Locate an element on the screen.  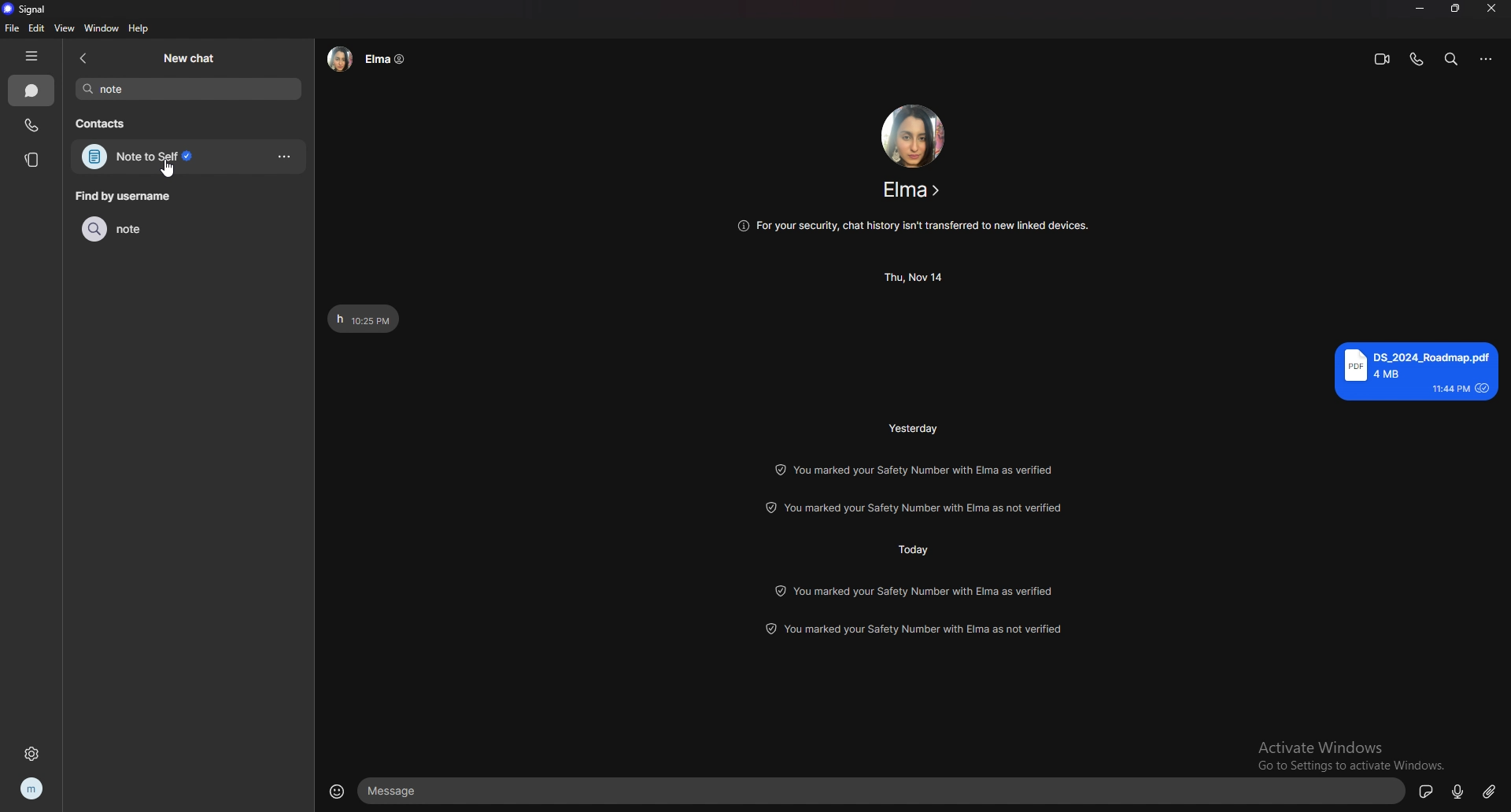
note to self is located at coordinates (166, 157).